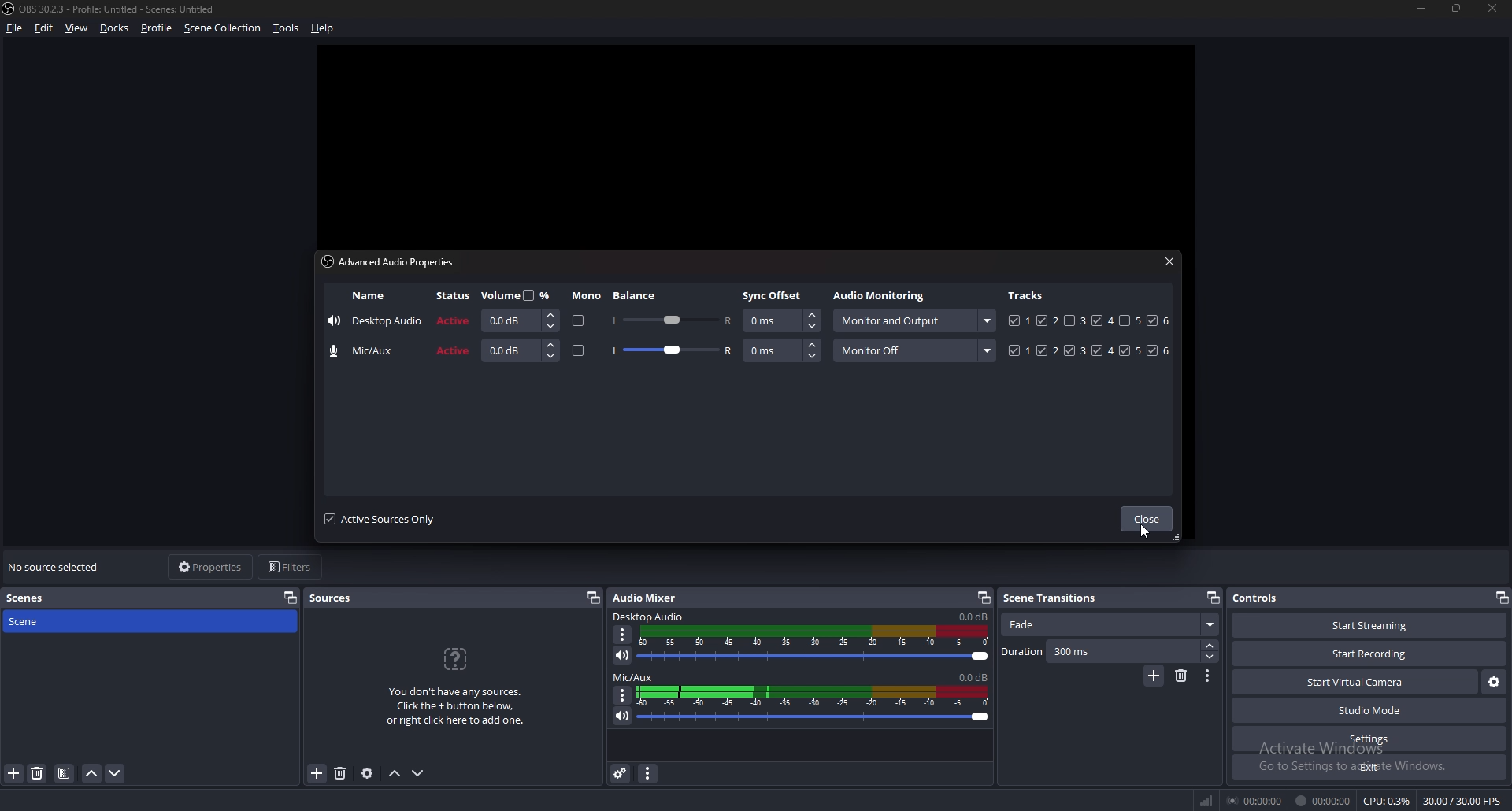 The image size is (1512, 811). I want to click on ObS 30.2.3 - Profile: Untitled - Scenes: Untitled, so click(124, 6).